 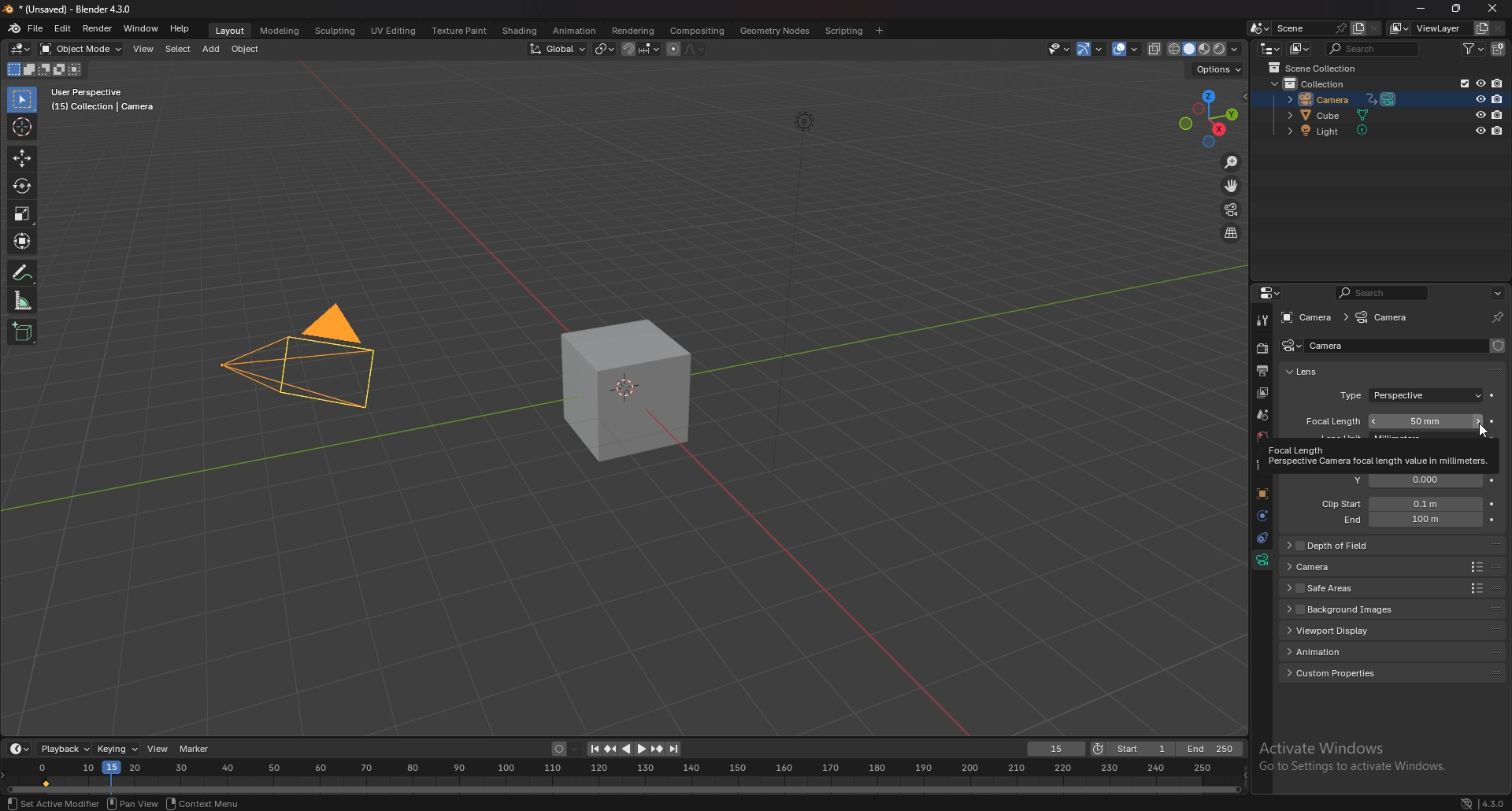 What do you see at coordinates (37, 29) in the screenshot?
I see `file` at bounding box center [37, 29].